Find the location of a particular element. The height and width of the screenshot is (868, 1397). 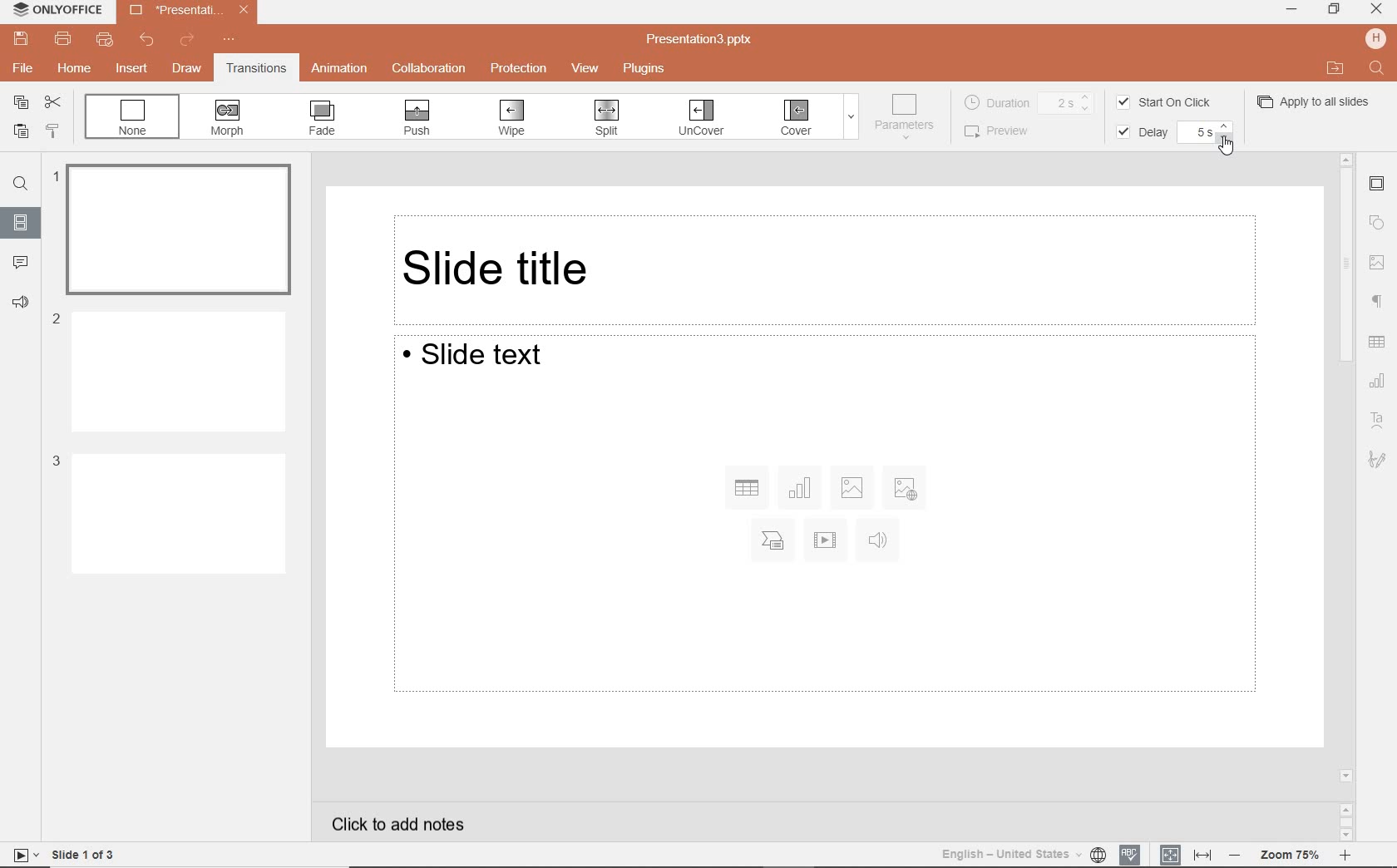

slides is located at coordinates (21, 222).